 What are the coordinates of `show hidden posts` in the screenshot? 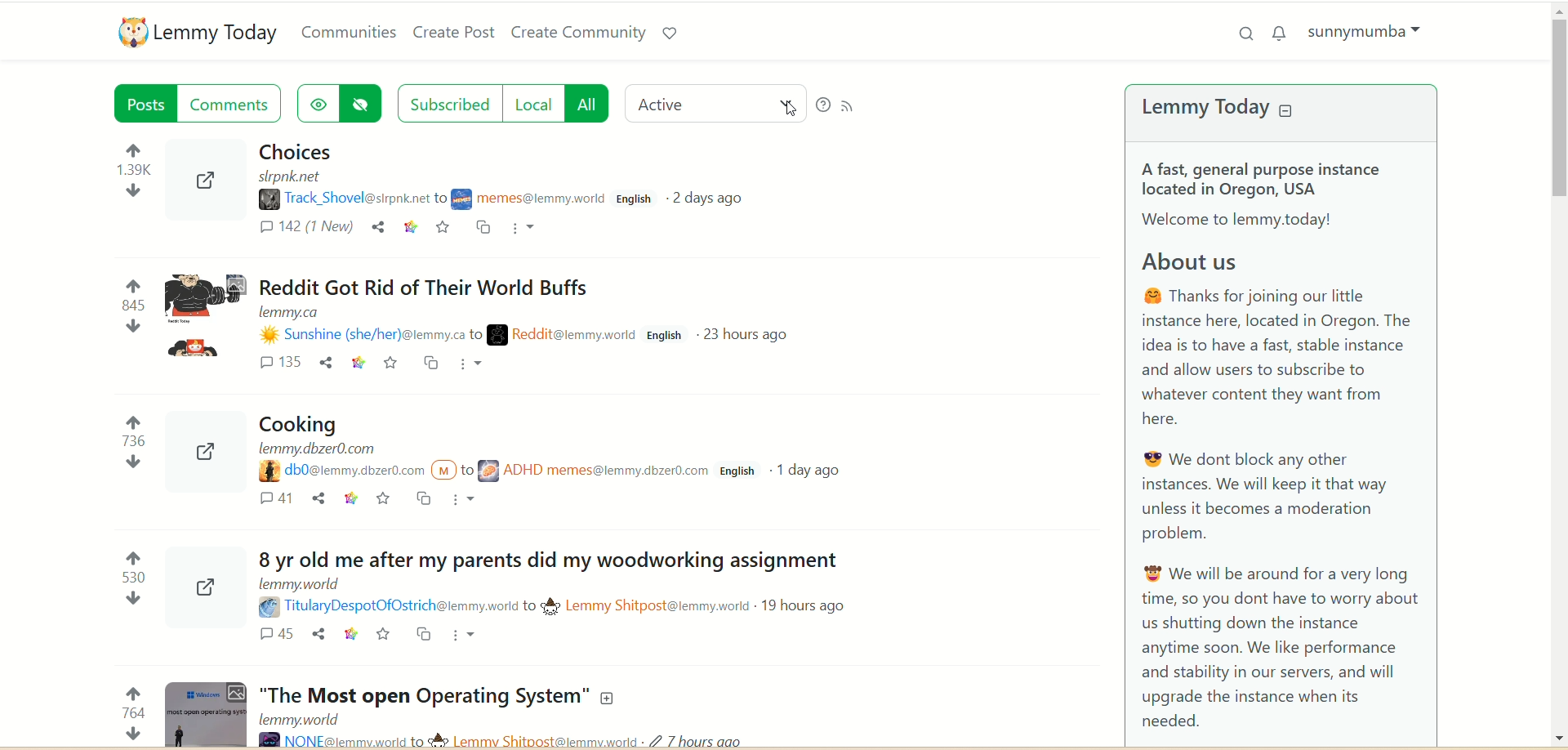 It's located at (318, 100).